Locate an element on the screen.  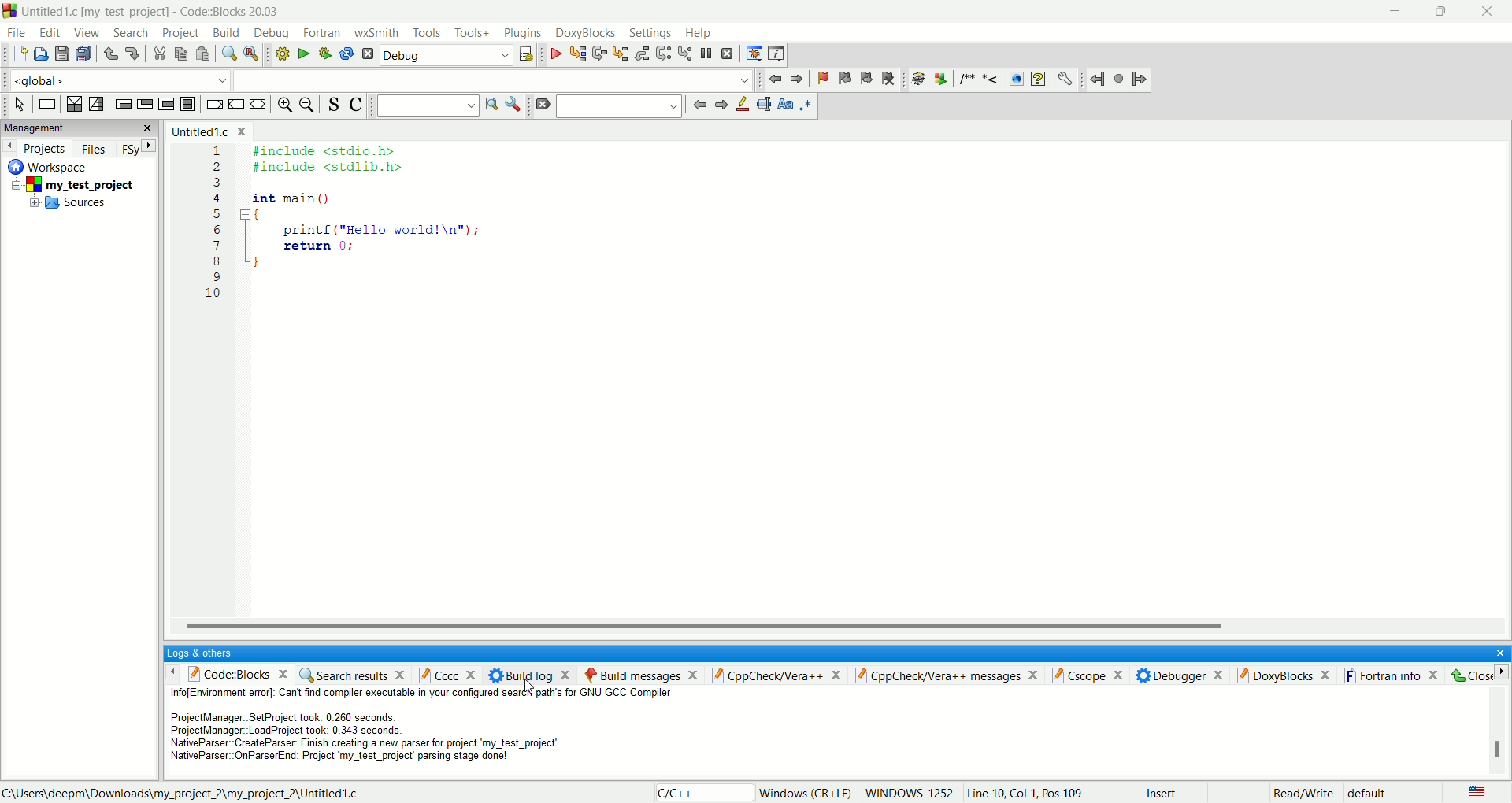
Cursor is located at coordinates (531, 686).